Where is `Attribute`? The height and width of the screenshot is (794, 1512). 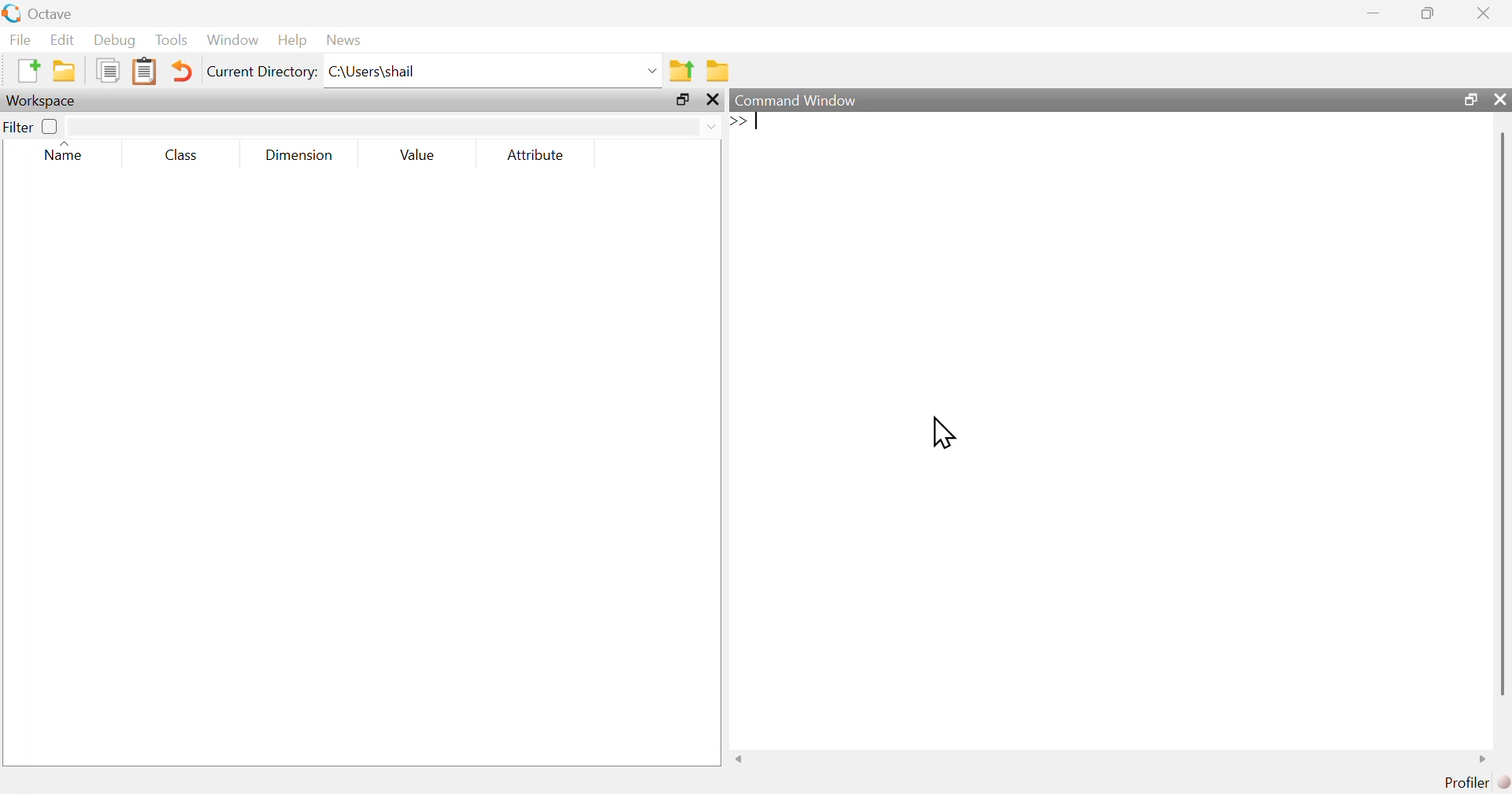 Attribute is located at coordinates (536, 154).